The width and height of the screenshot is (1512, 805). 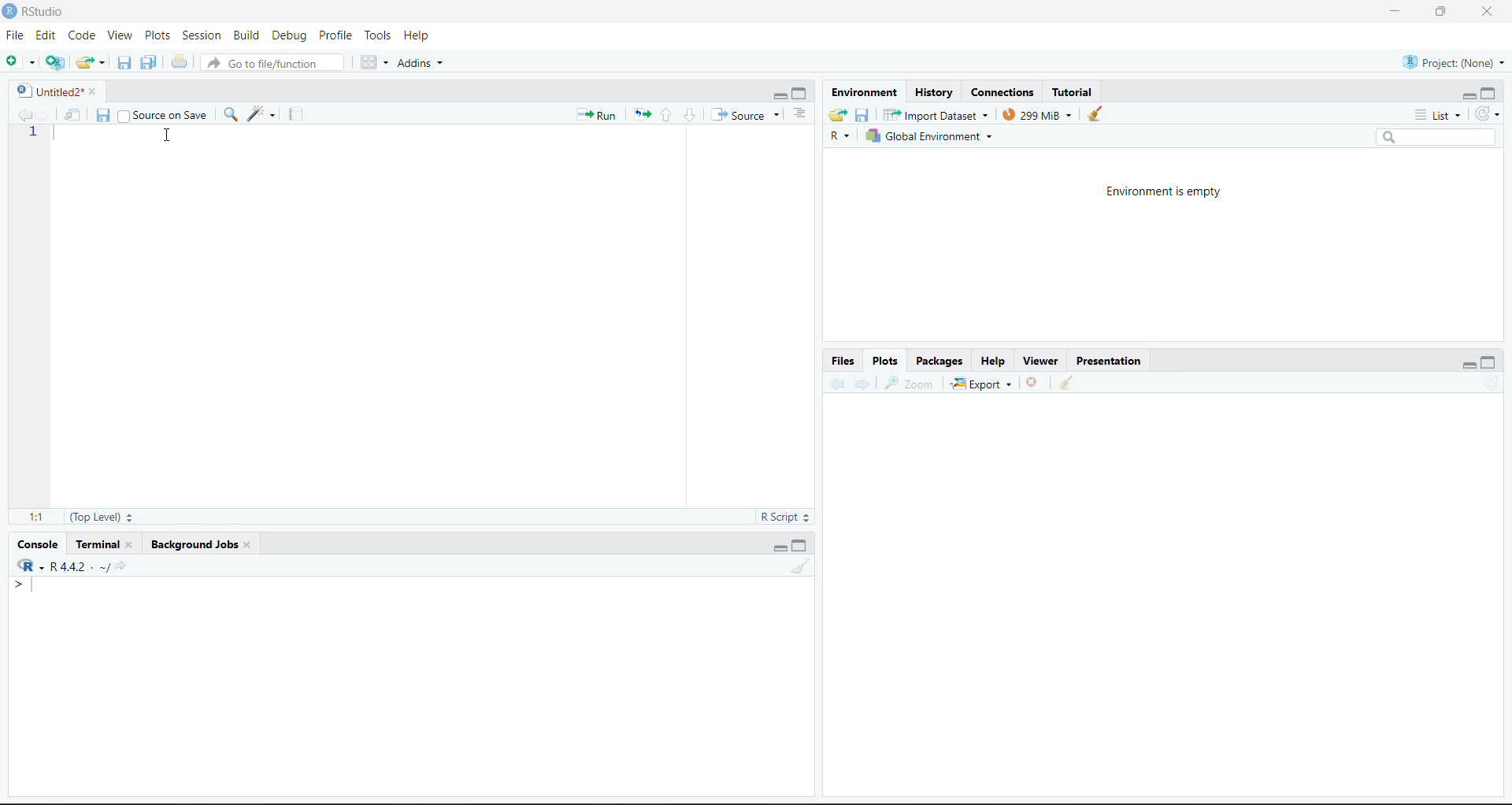 I want to click on compile report, so click(x=294, y=113).